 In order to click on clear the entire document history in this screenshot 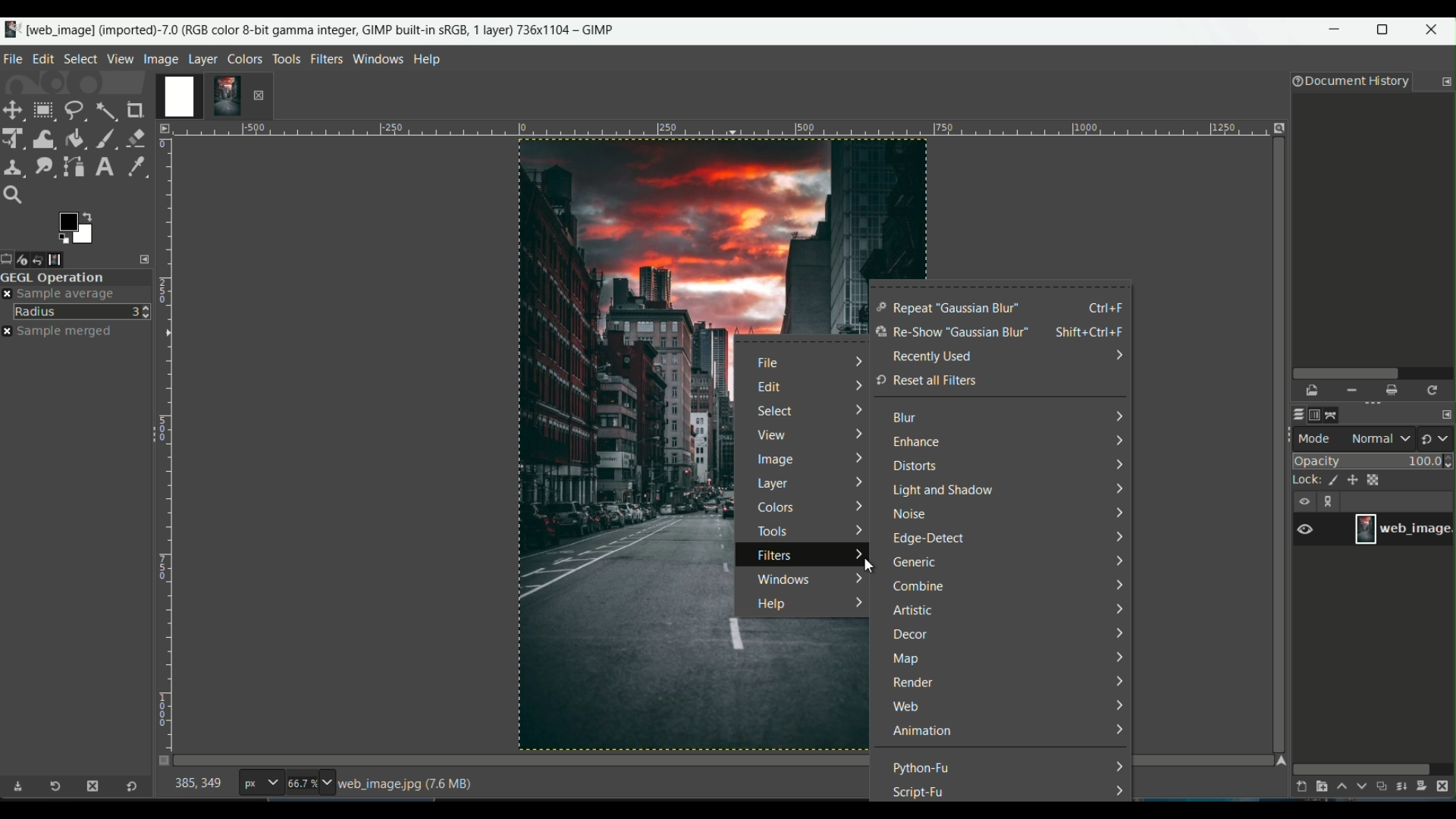, I will do `click(1393, 391)`.